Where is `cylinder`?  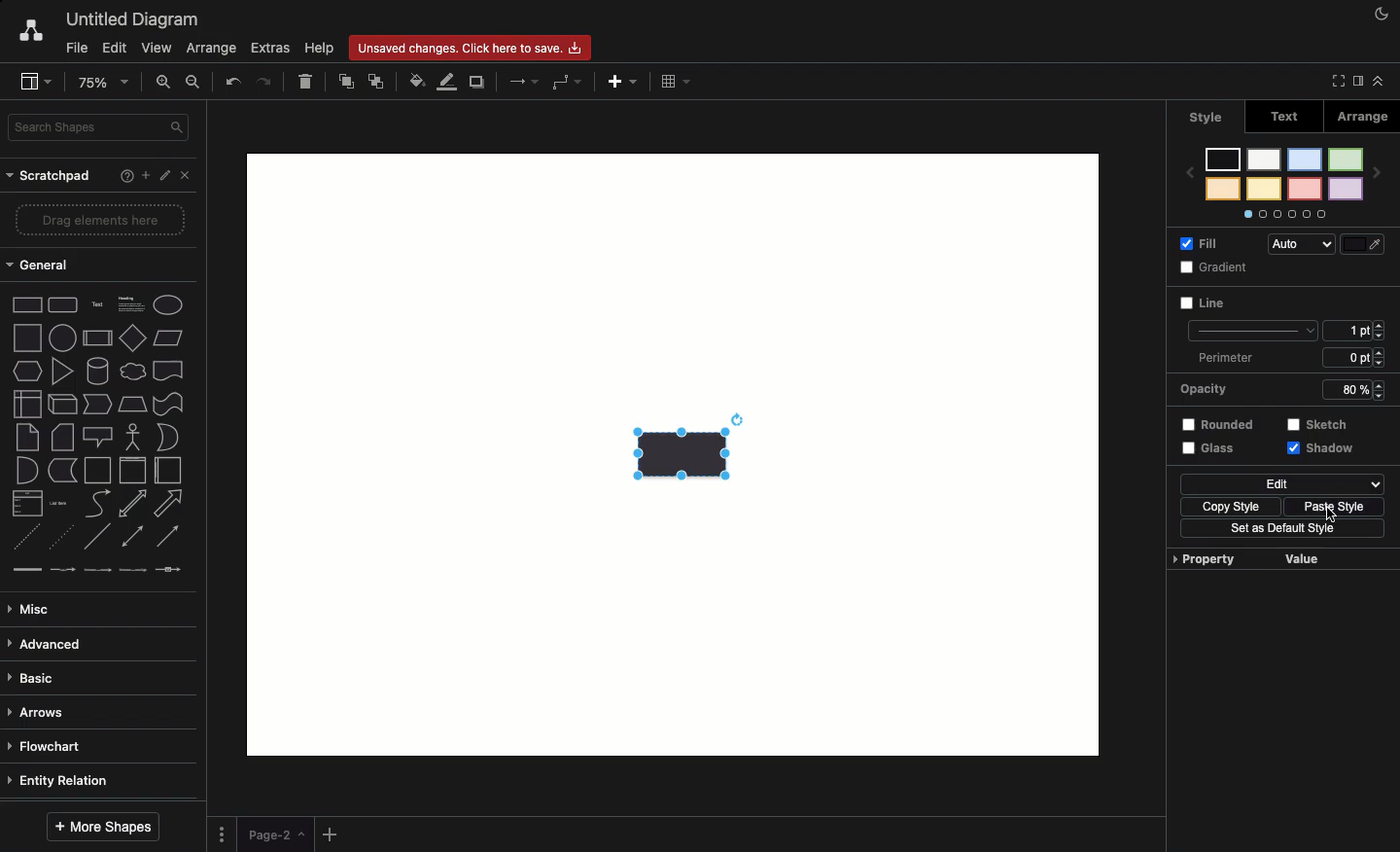
cylinder is located at coordinates (95, 372).